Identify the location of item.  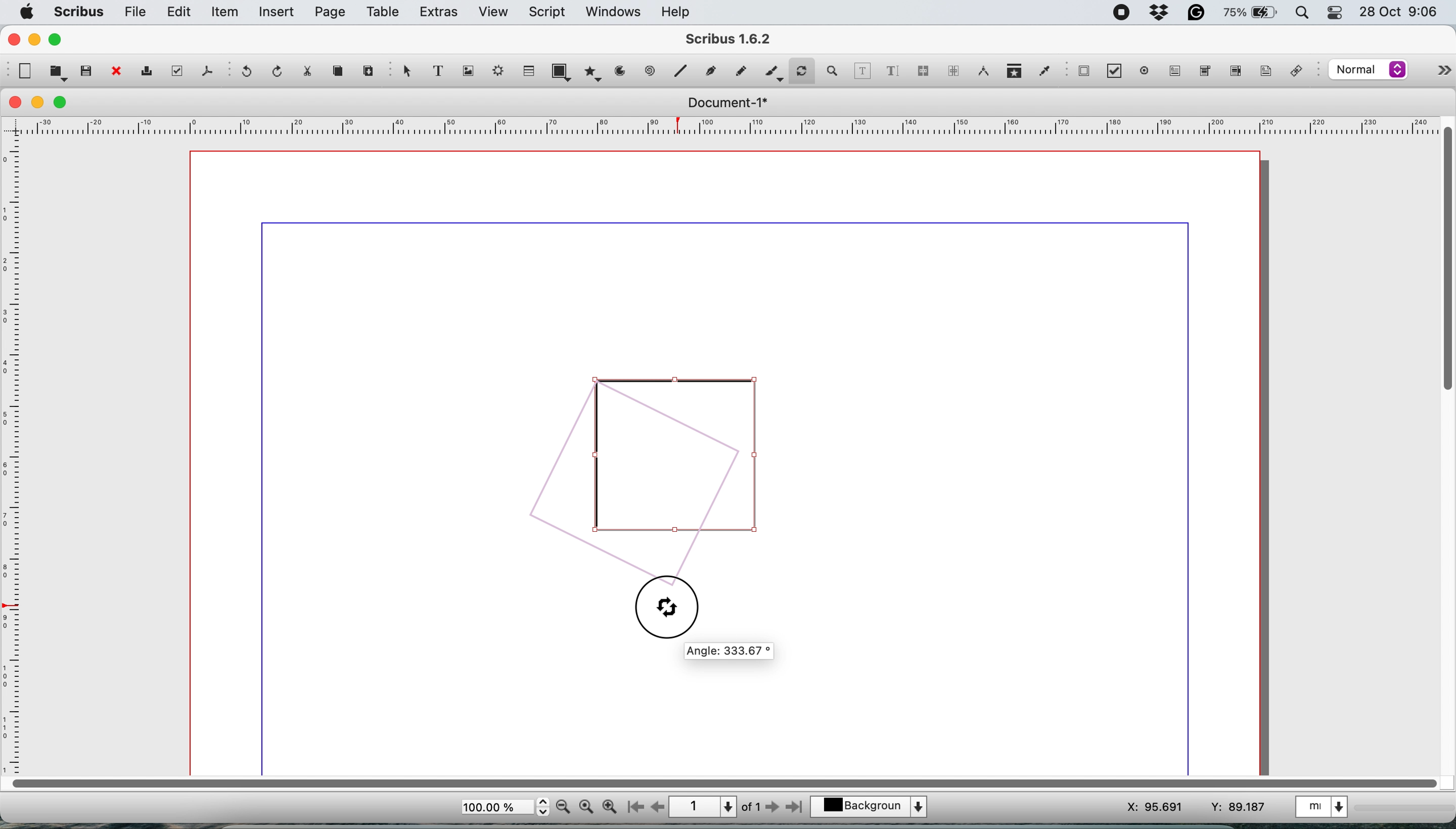
(226, 14).